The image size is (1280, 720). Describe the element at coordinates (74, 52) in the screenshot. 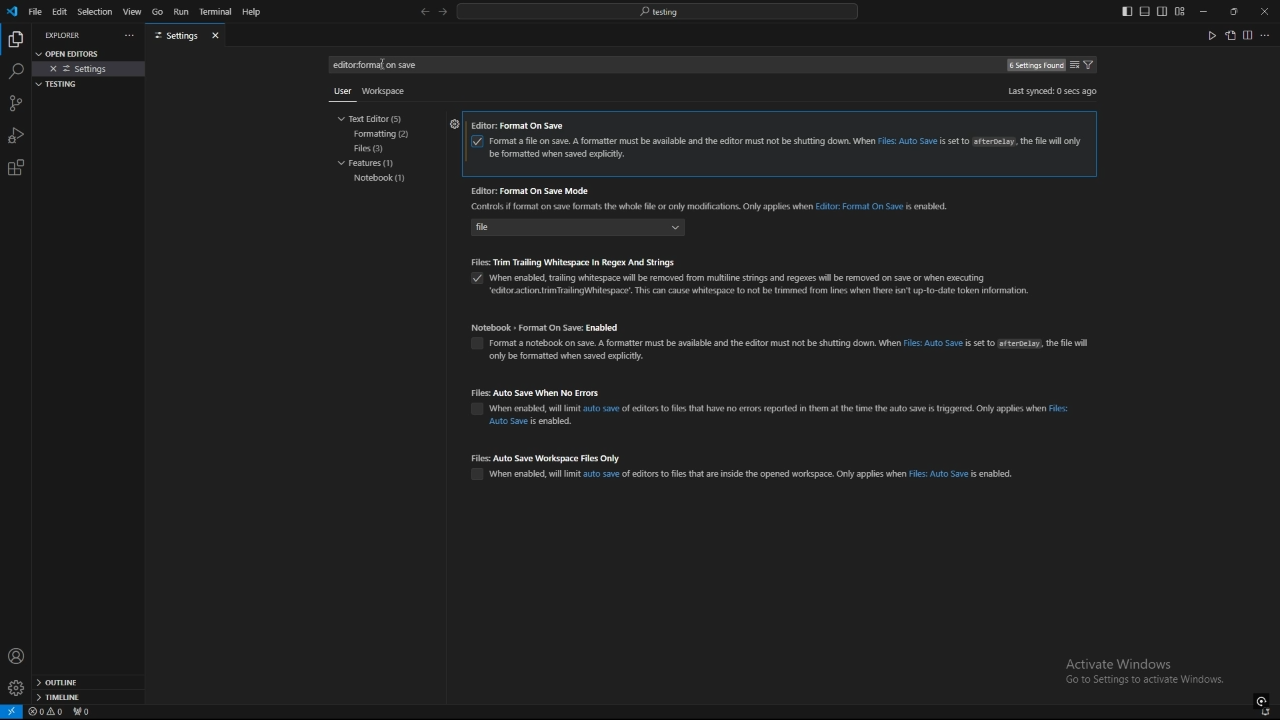

I see `open settings` at that location.